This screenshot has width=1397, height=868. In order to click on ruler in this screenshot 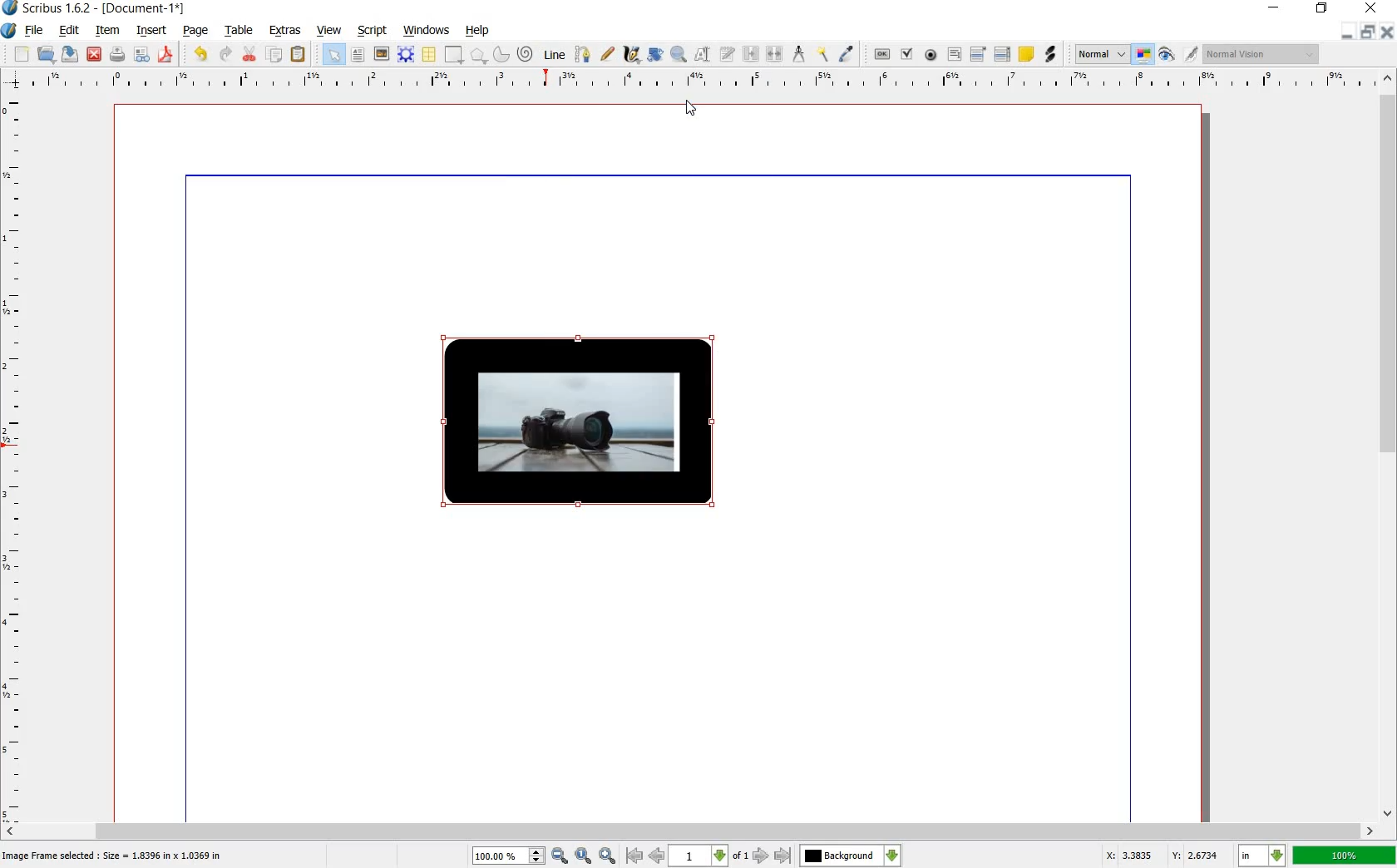, I will do `click(19, 457)`.